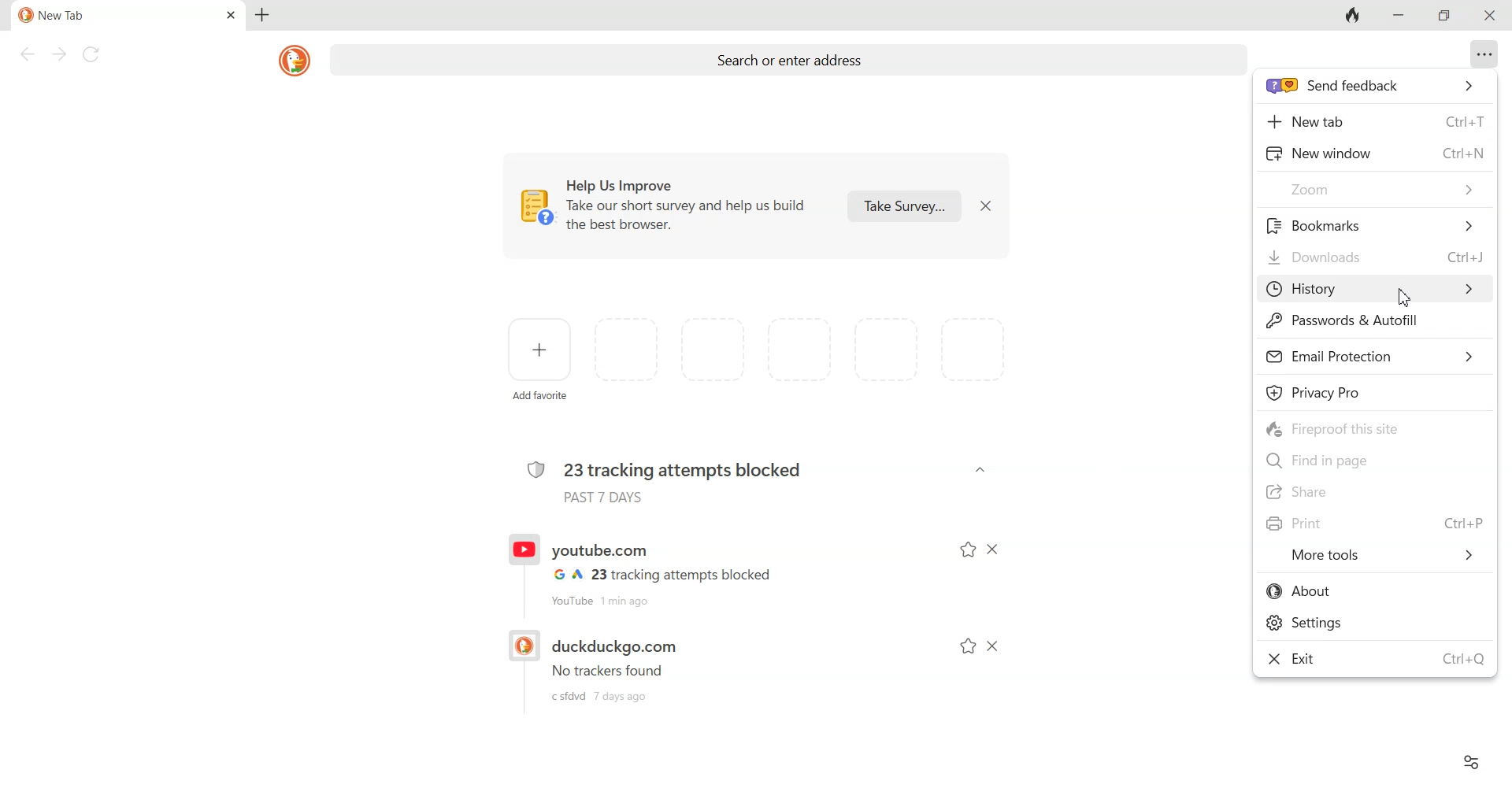 Image resolution: width=1512 pixels, height=803 pixels. I want to click on add favorite, so click(540, 398).